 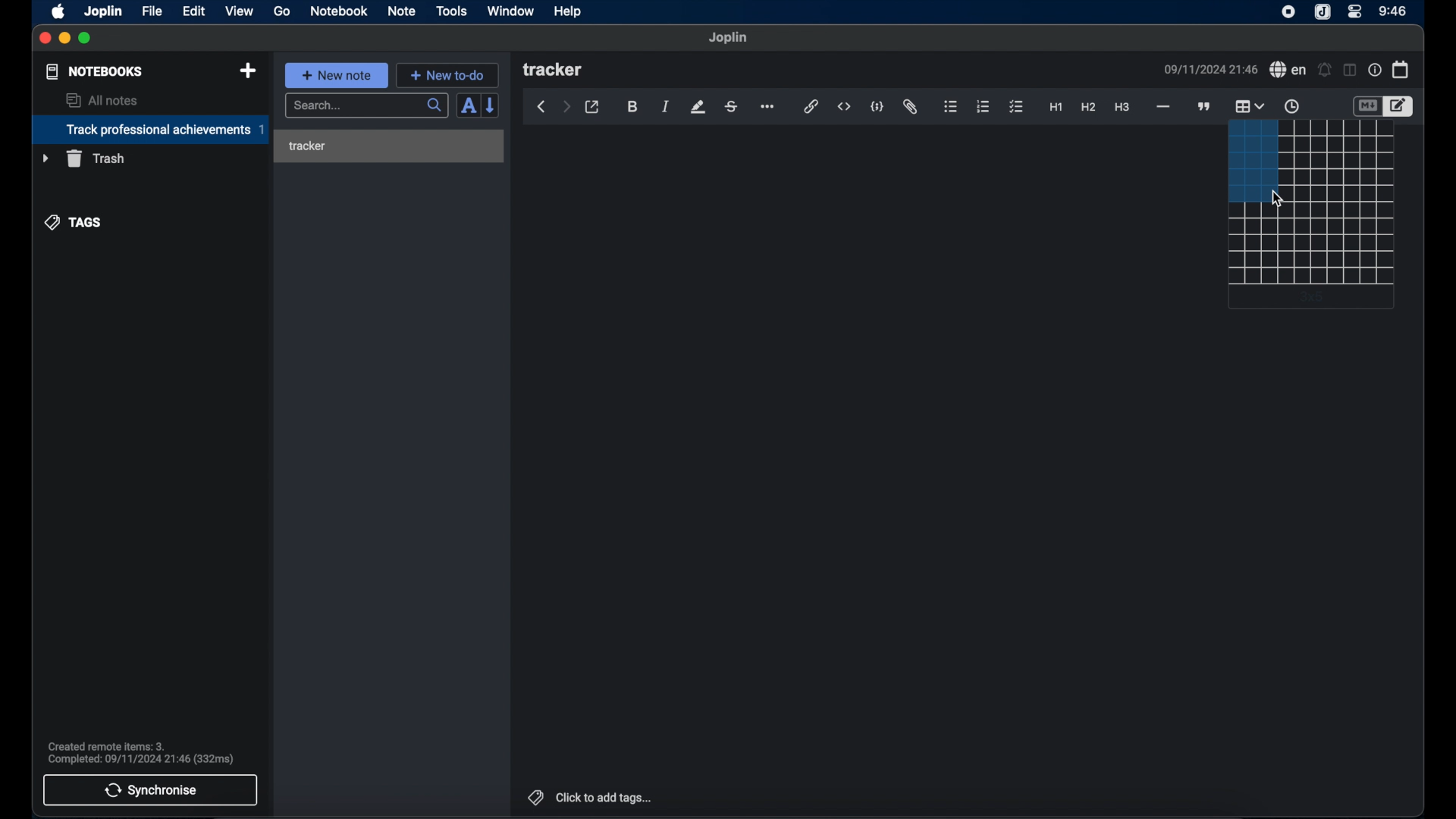 I want to click on edit, so click(x=195, y=11).